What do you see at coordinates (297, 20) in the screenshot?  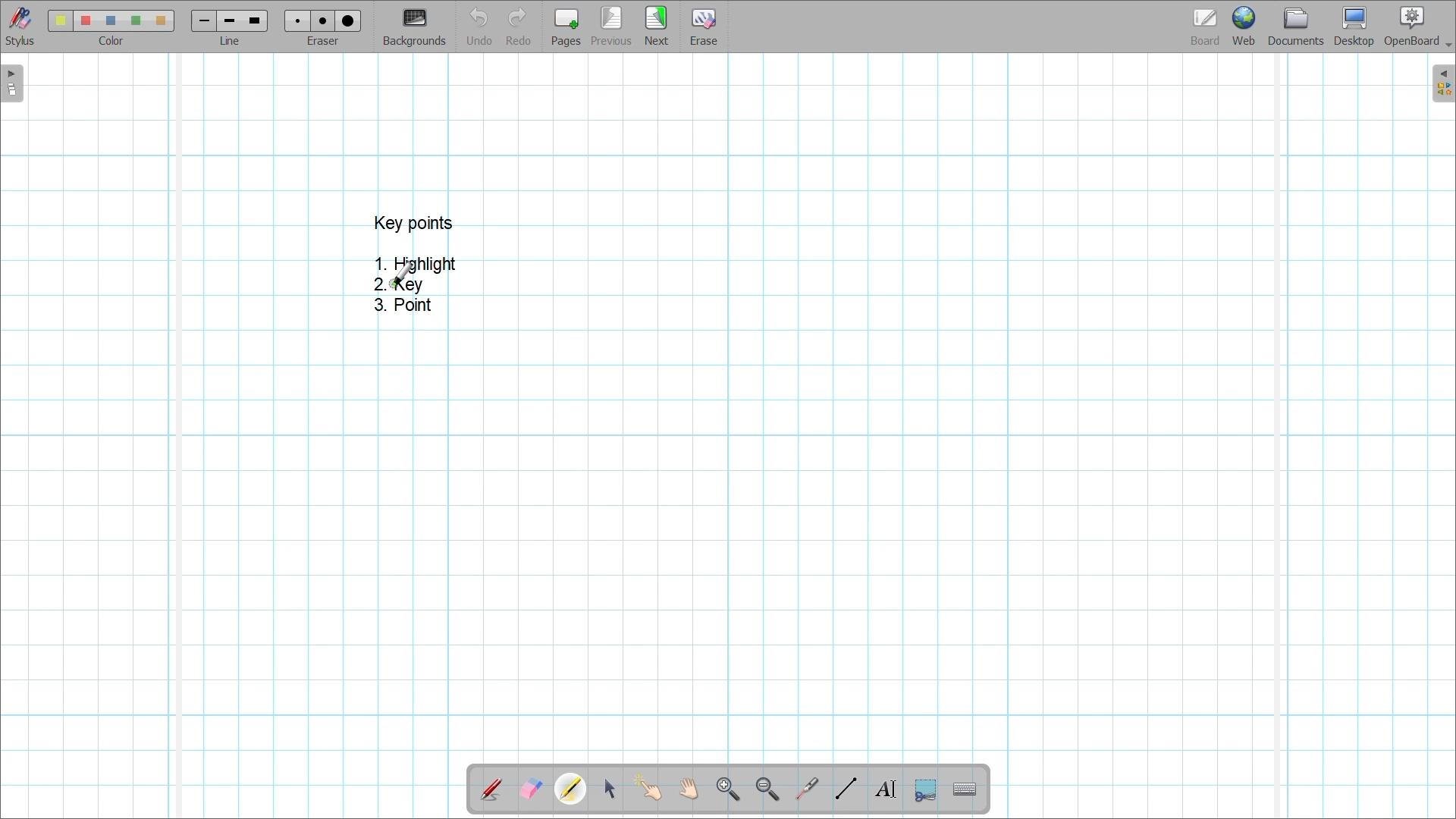 I see `Eraser 1` at bounding box center [297, 20].